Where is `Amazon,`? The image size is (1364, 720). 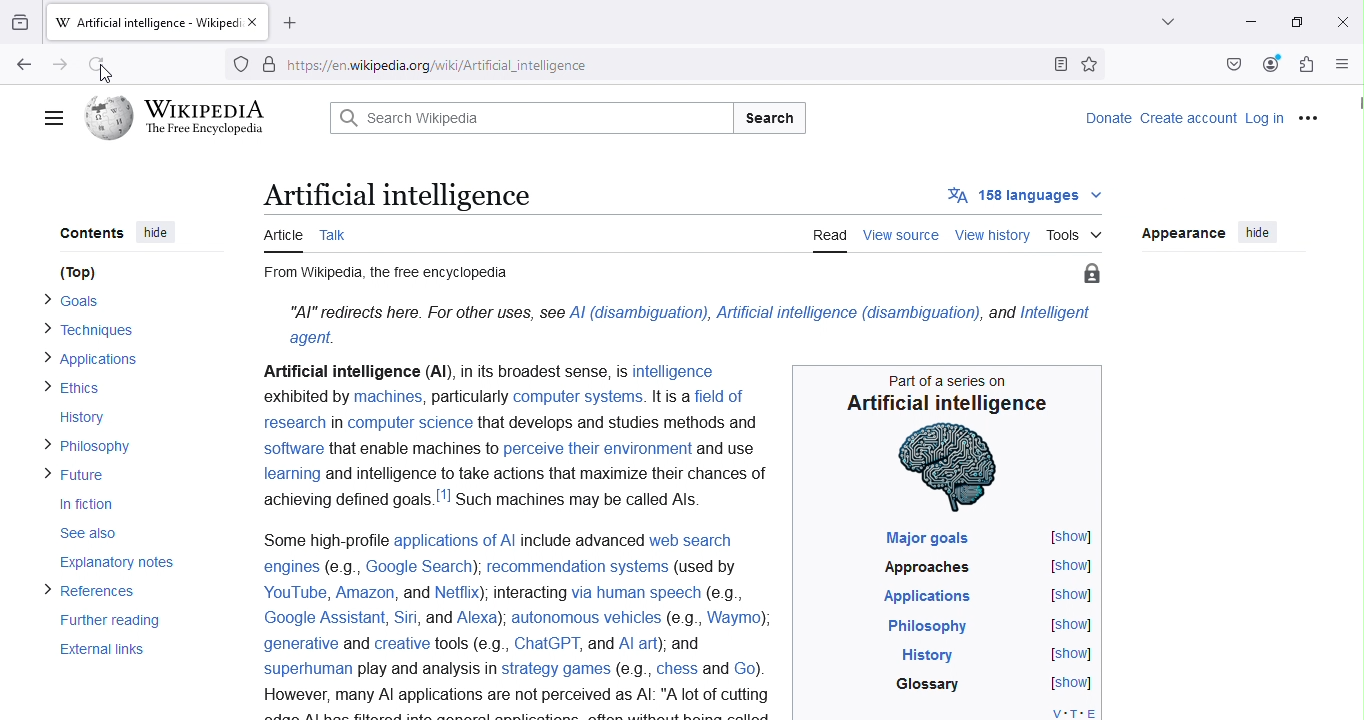
Amazon, is located at coordinates (361, 592).